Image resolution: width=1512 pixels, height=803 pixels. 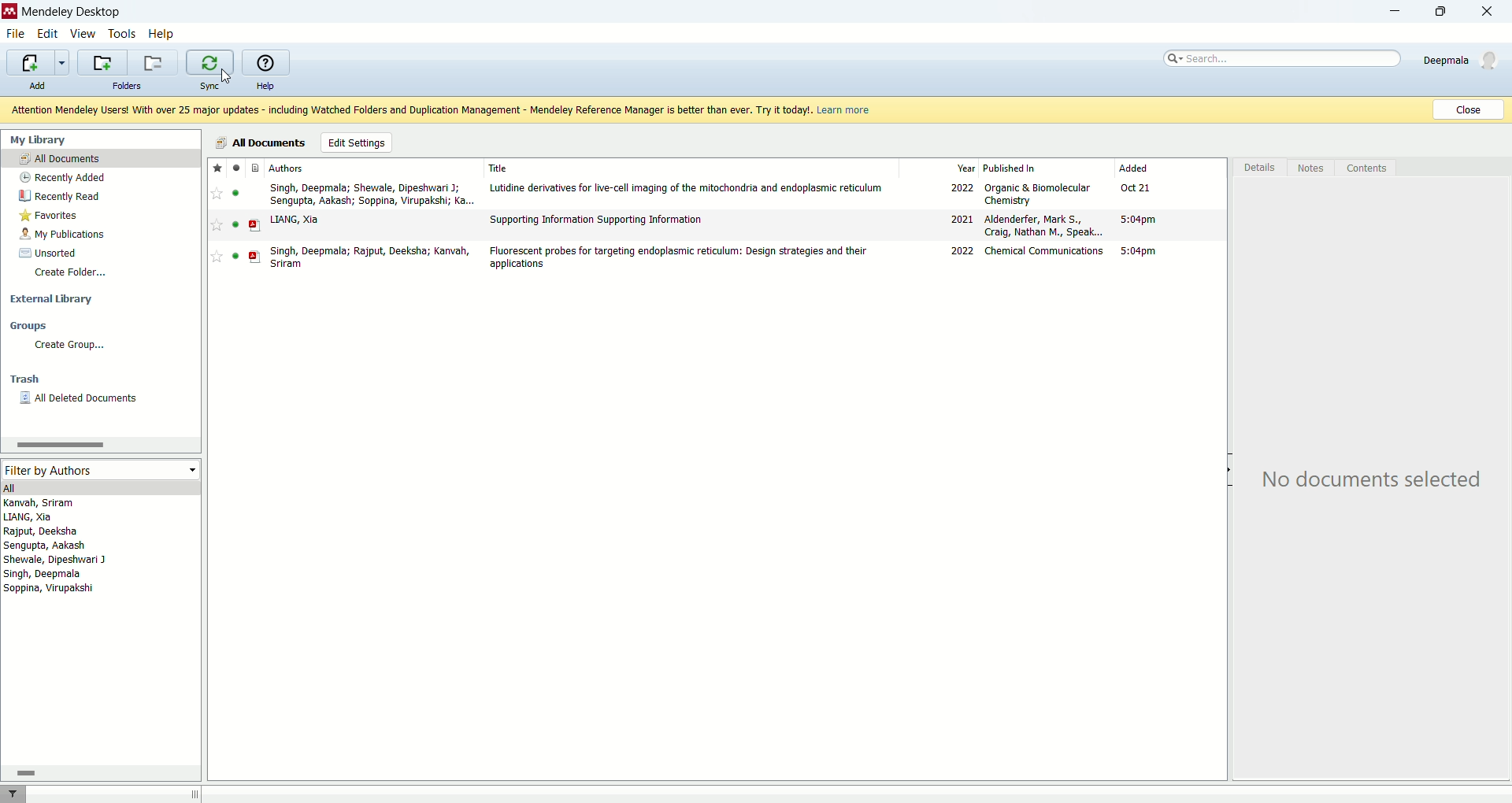 What do you see at coordinates (53, 574) in the screenshot?
I see `Singh, Deepmala` at bounding box center [53, 574].